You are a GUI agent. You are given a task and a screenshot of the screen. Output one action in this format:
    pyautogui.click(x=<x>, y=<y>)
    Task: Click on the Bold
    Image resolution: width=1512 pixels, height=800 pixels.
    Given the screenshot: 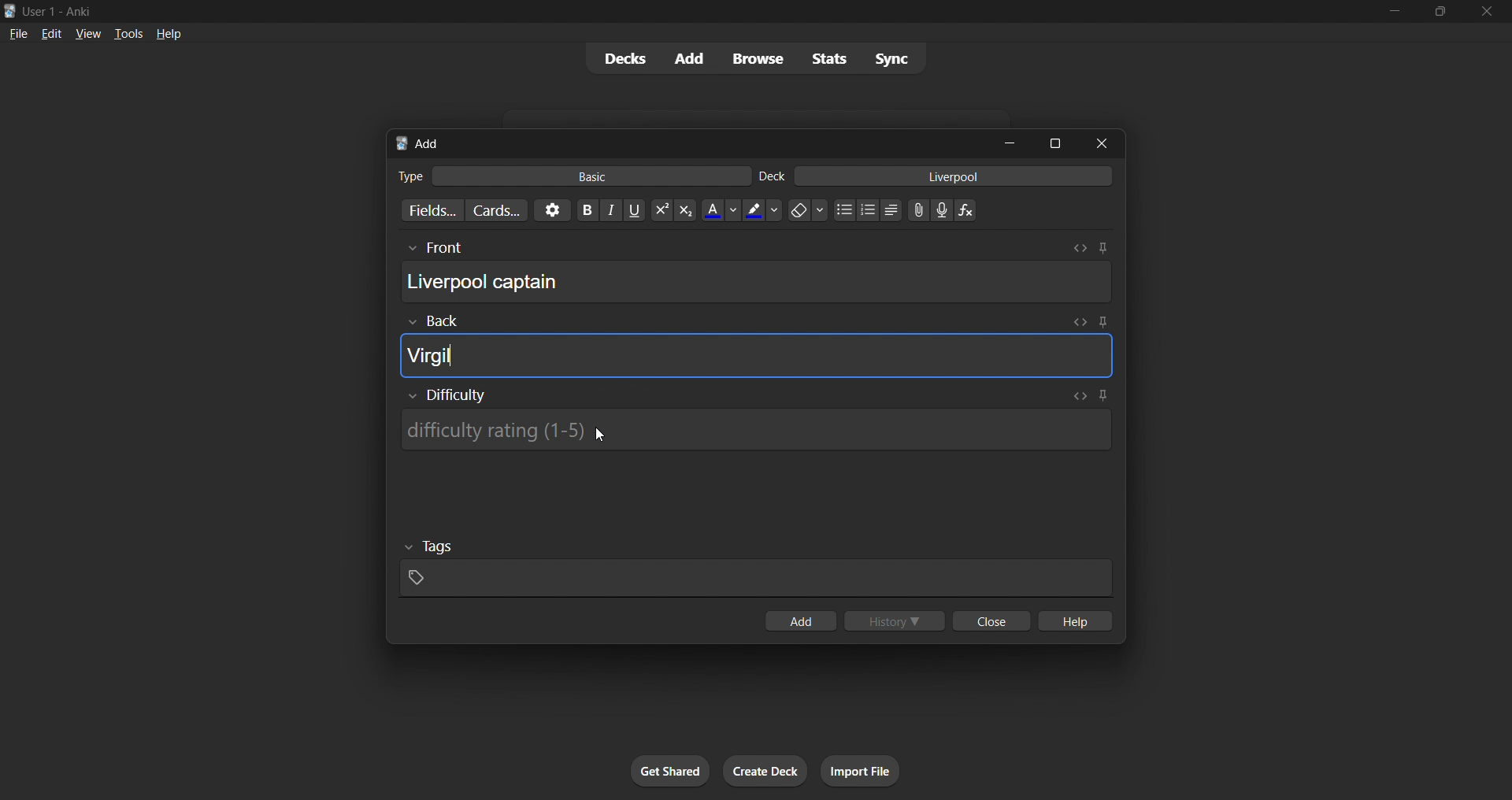 What is the action you would take?
    pyautogui.click(x=587, y=210)
    